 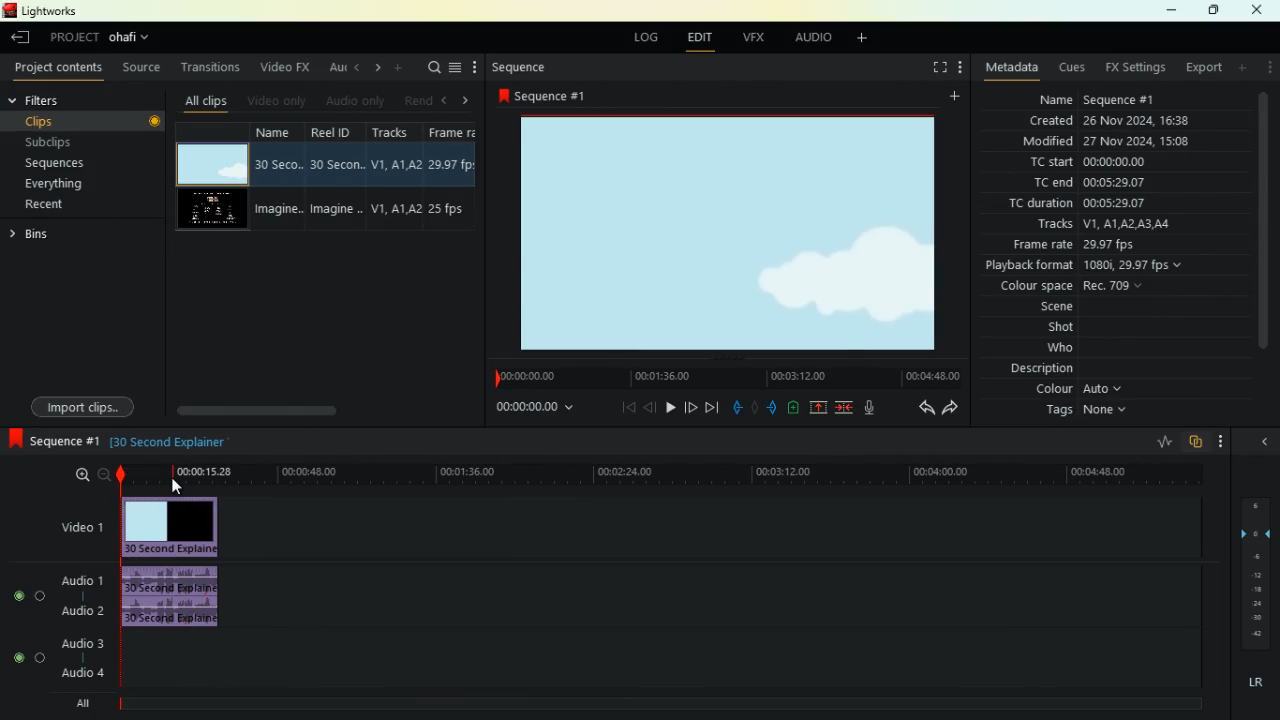 What do you see at coordinates (722, 379) in the screenshot?
I see `timeline` at bounding box center [722, 379].